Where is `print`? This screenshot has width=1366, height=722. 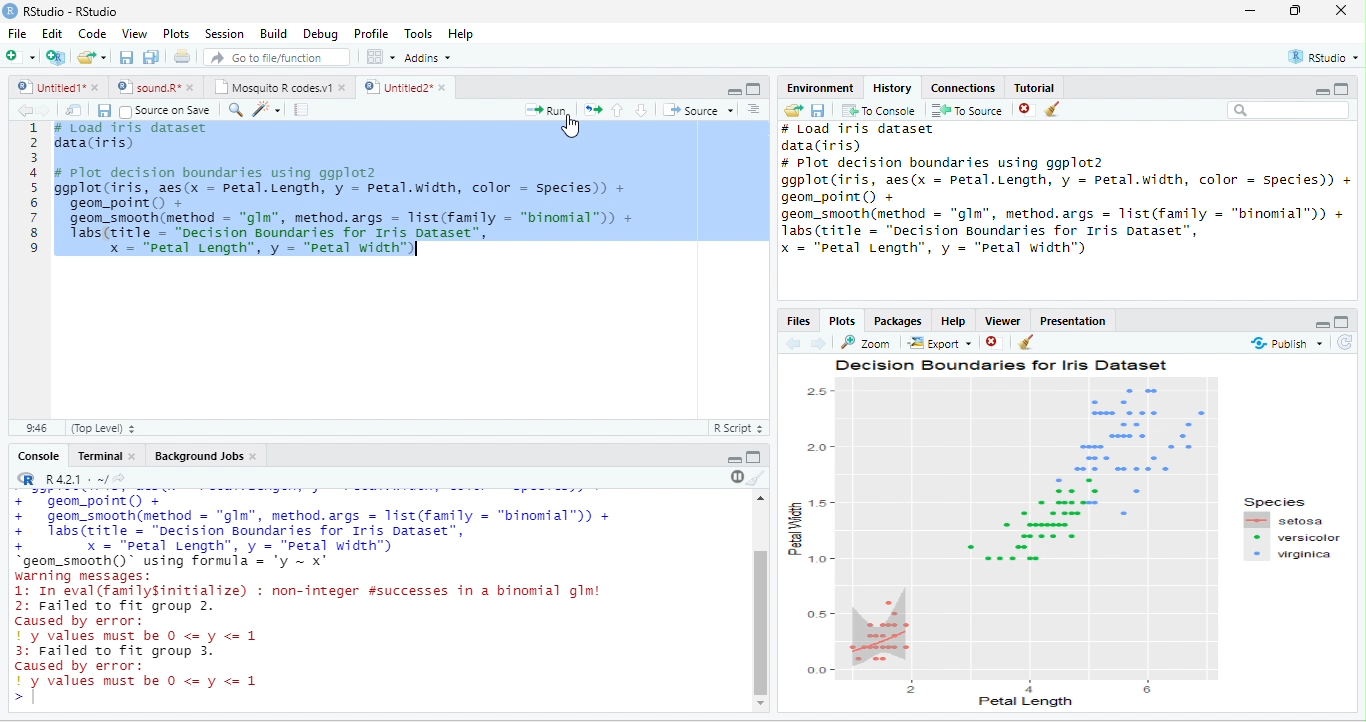 print is located at coordinates (181, 56).